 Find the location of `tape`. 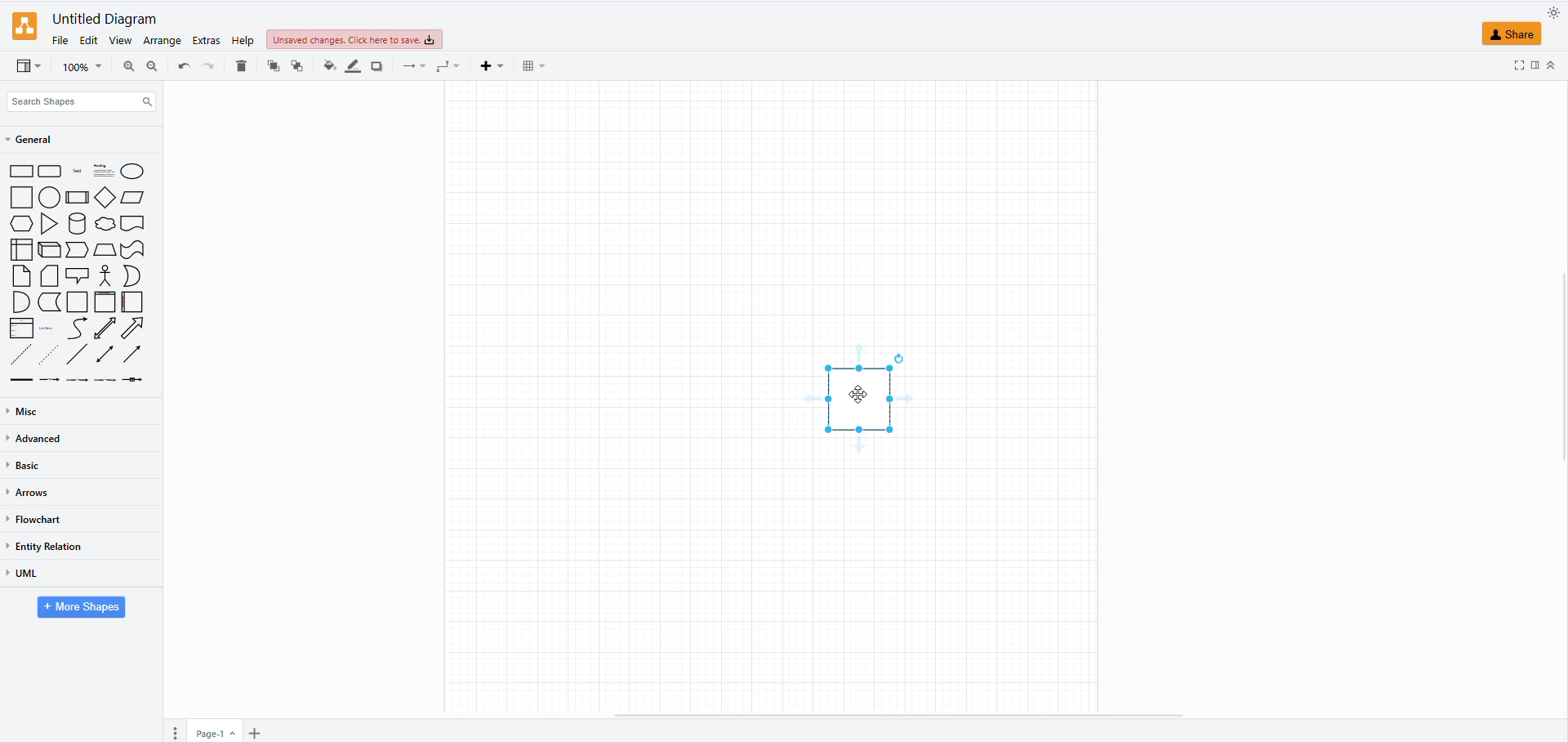

tape is located at coordinates (134, 250).